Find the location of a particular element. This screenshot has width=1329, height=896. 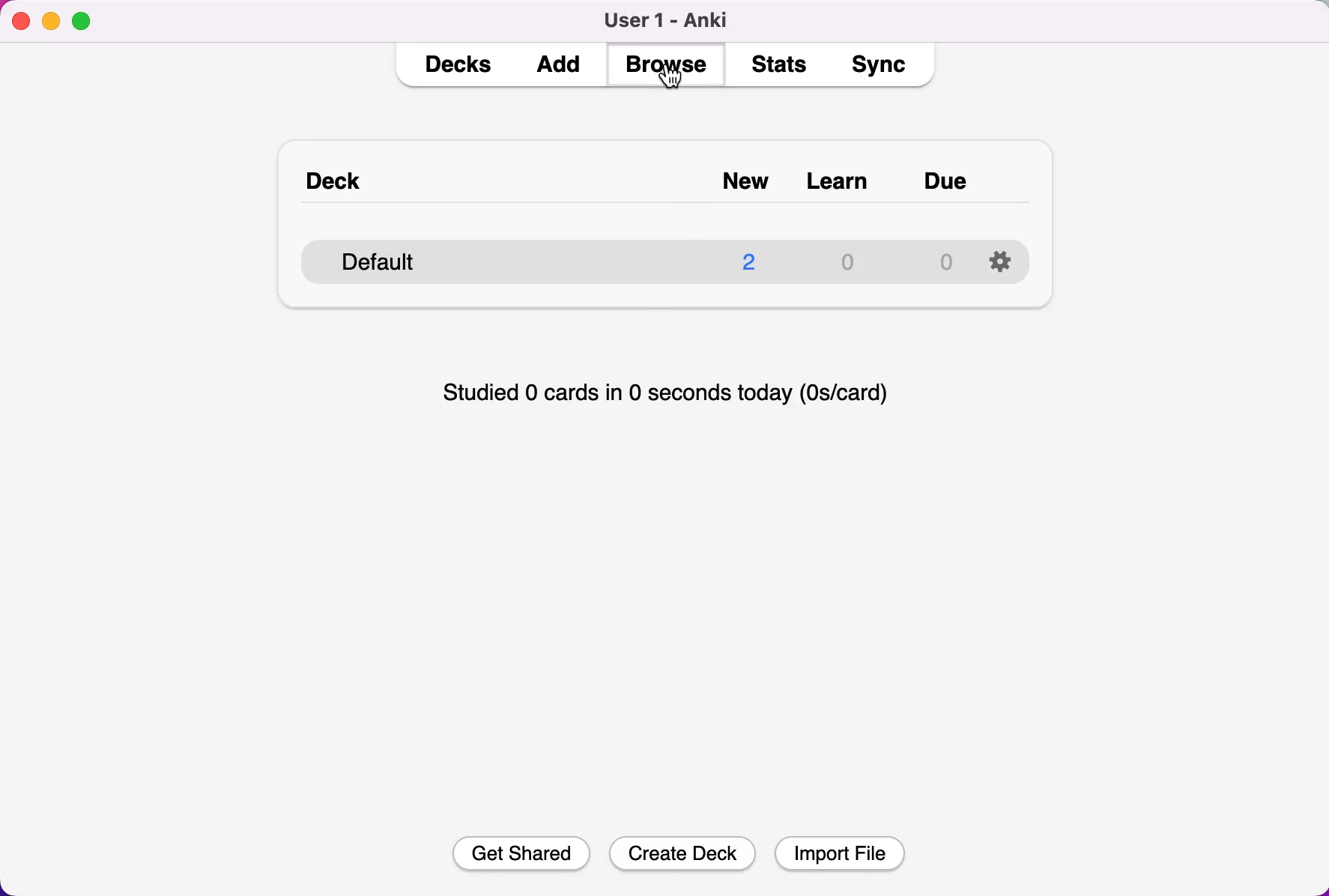

new is located at coordinates (748, 184).